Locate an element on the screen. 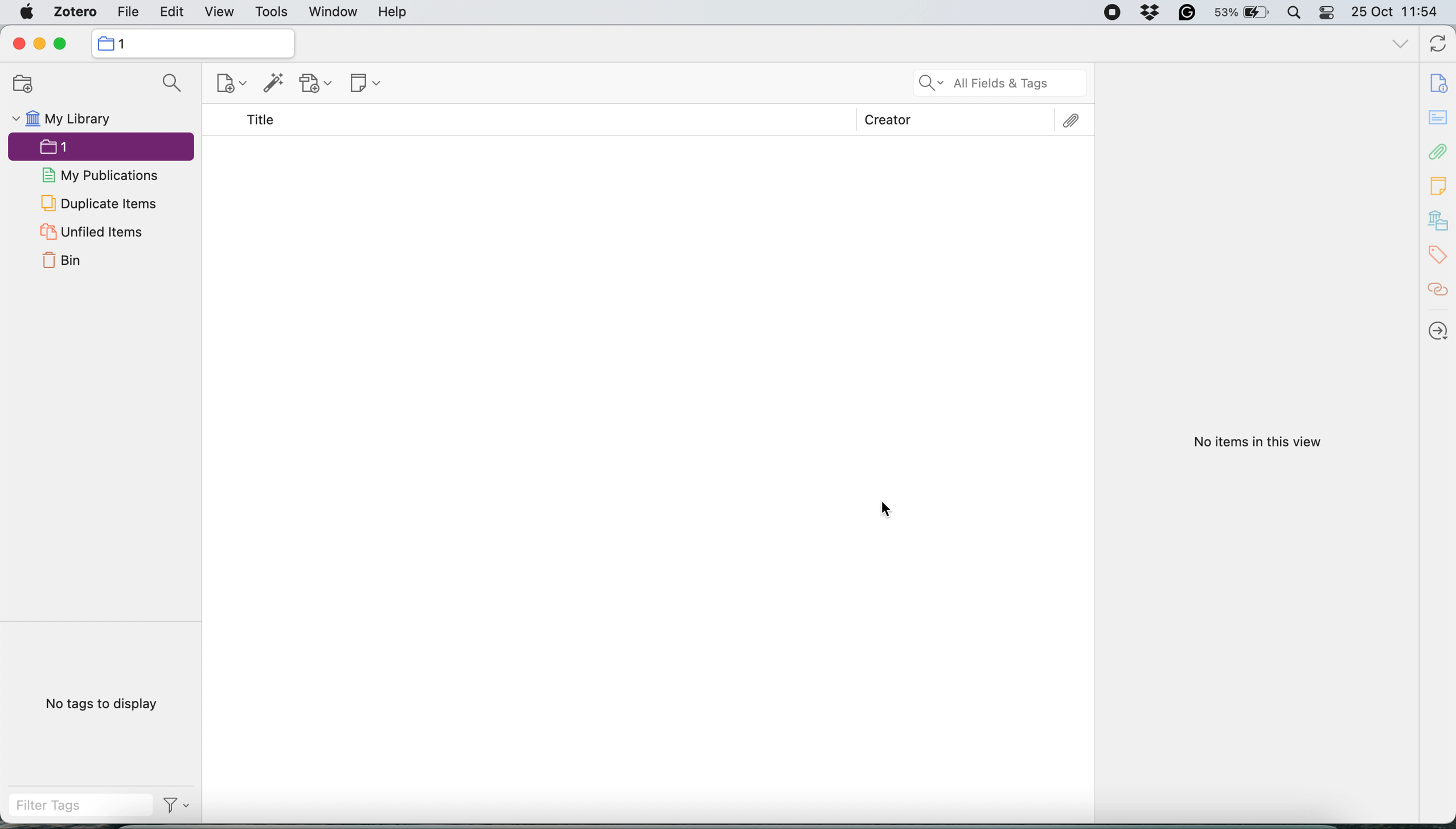 This screenshot has width=1456, height=829. sync with zotero.org is located at coordinates (1436, 46).